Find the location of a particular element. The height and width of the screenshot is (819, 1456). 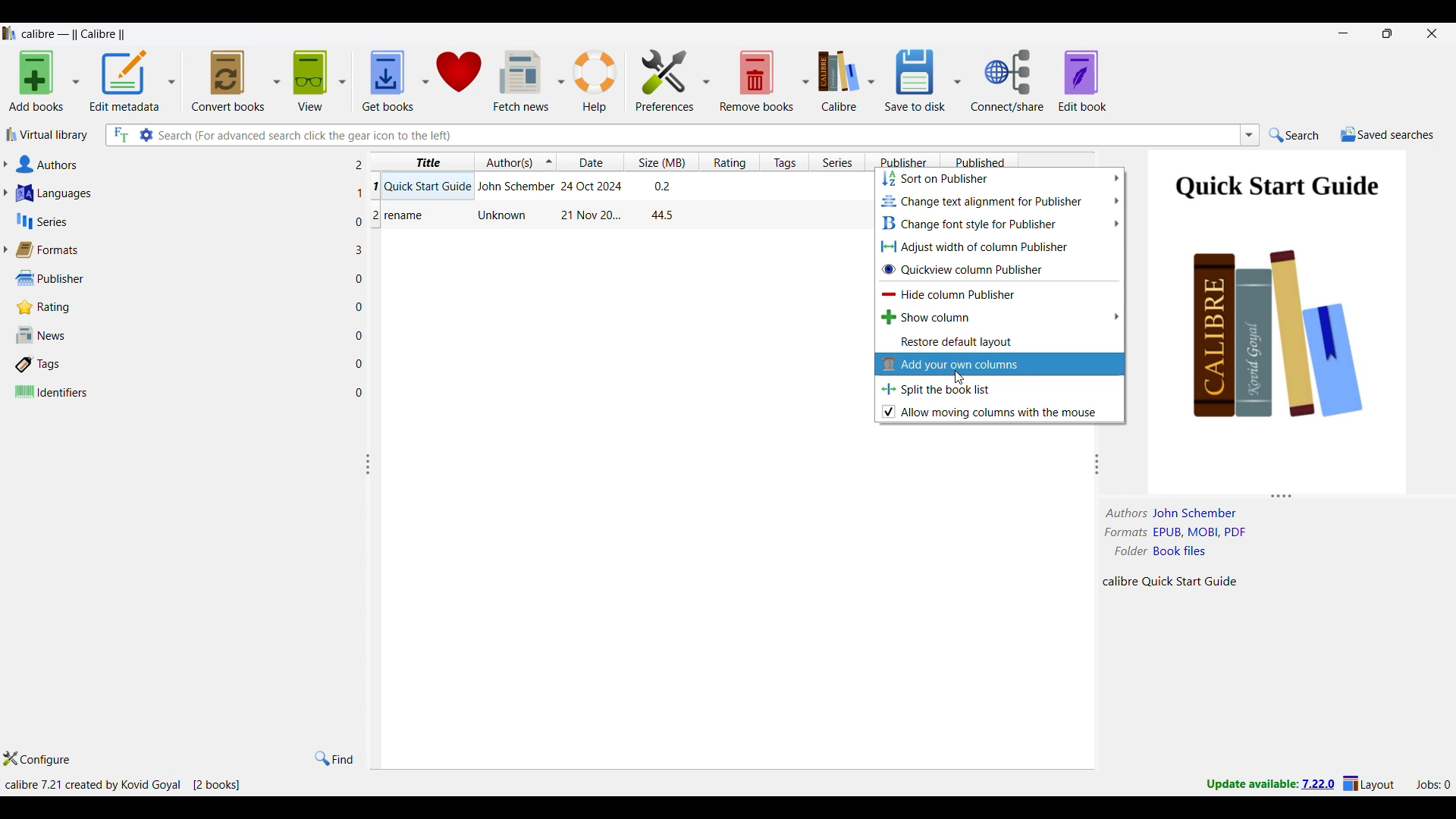

Virtual library is located at coordinates (48, 134).